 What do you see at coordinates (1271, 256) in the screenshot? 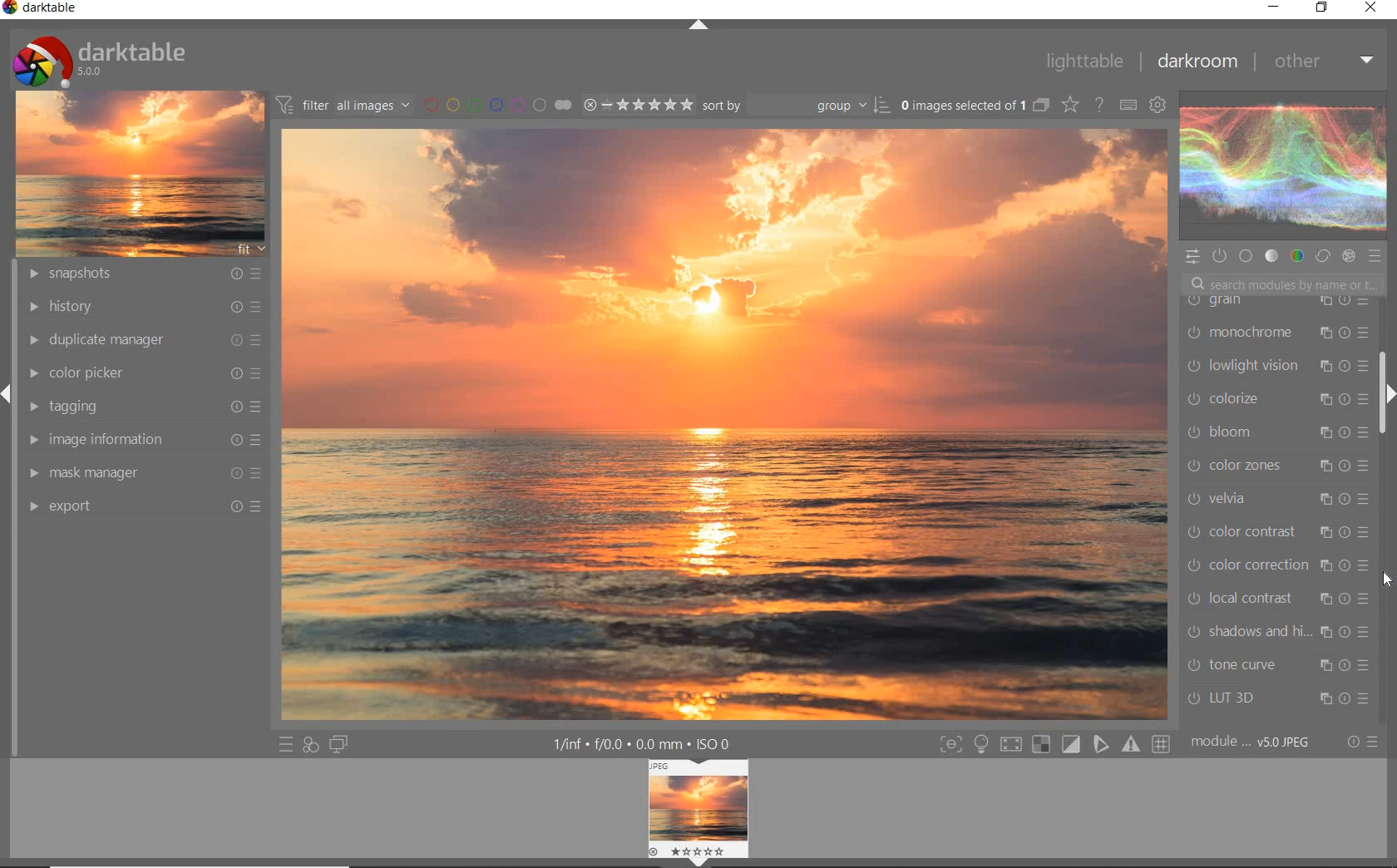
I see `TONE ` at bounding box center [1271, 256].